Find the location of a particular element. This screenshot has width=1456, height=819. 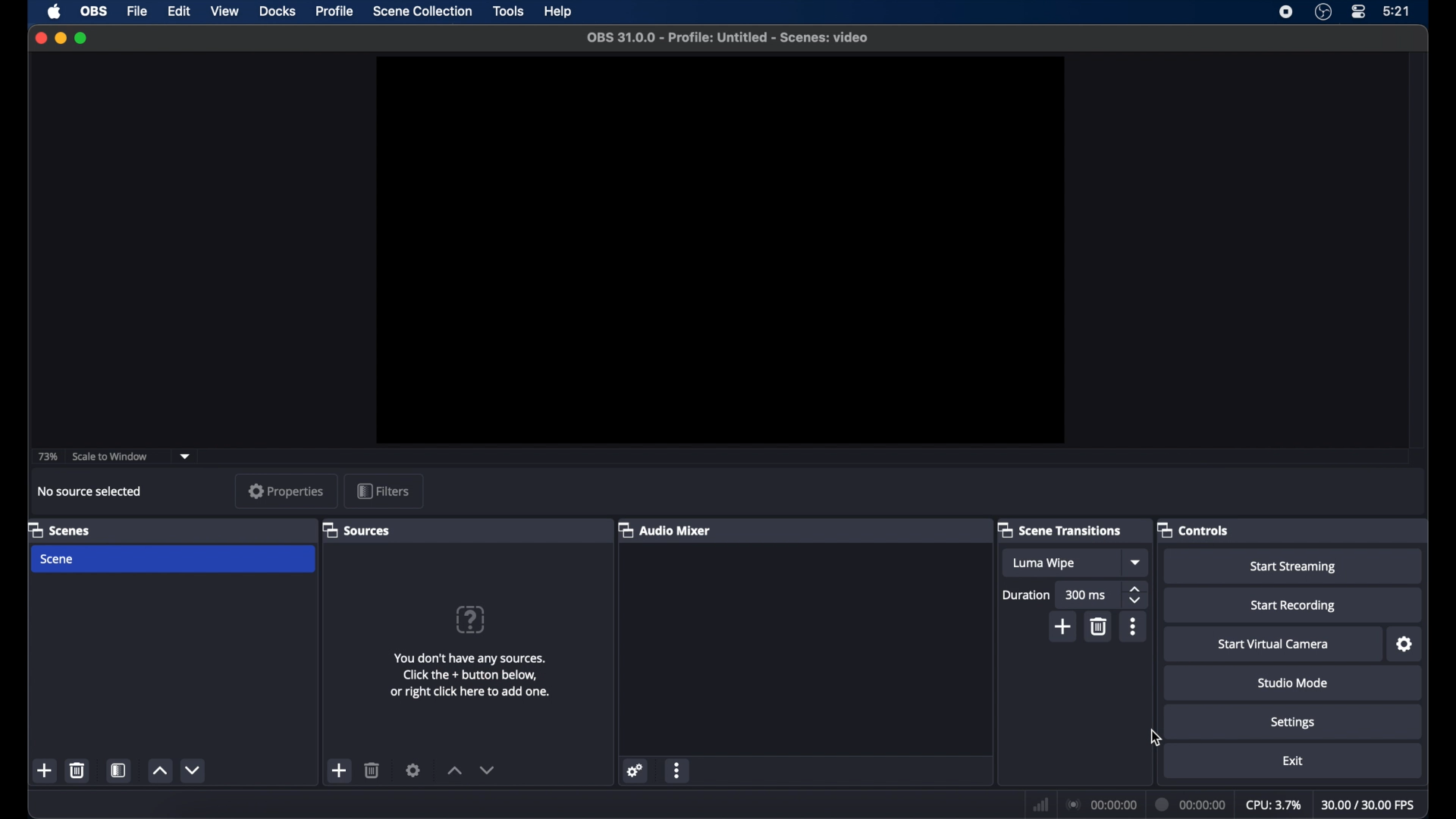

scene filters is located at coordinates (119, 771).